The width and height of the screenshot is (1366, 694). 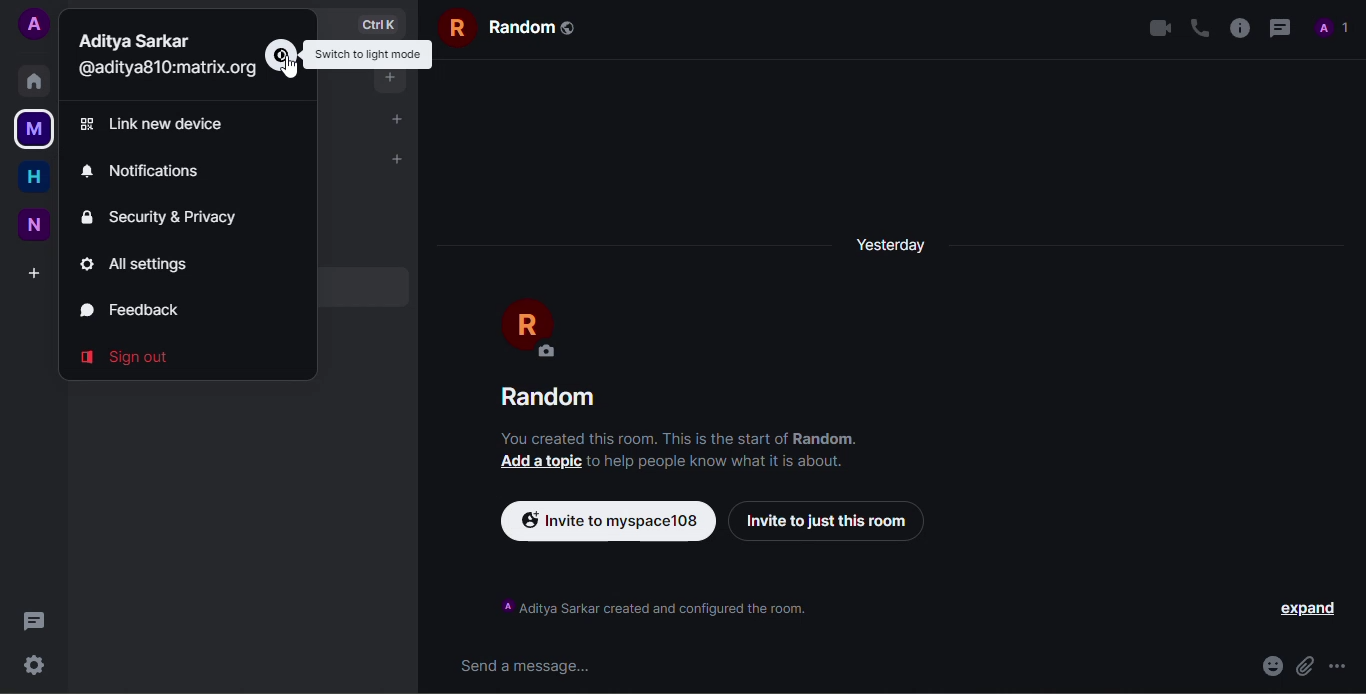 I want to click on link new device, so click(x=160, y=124).